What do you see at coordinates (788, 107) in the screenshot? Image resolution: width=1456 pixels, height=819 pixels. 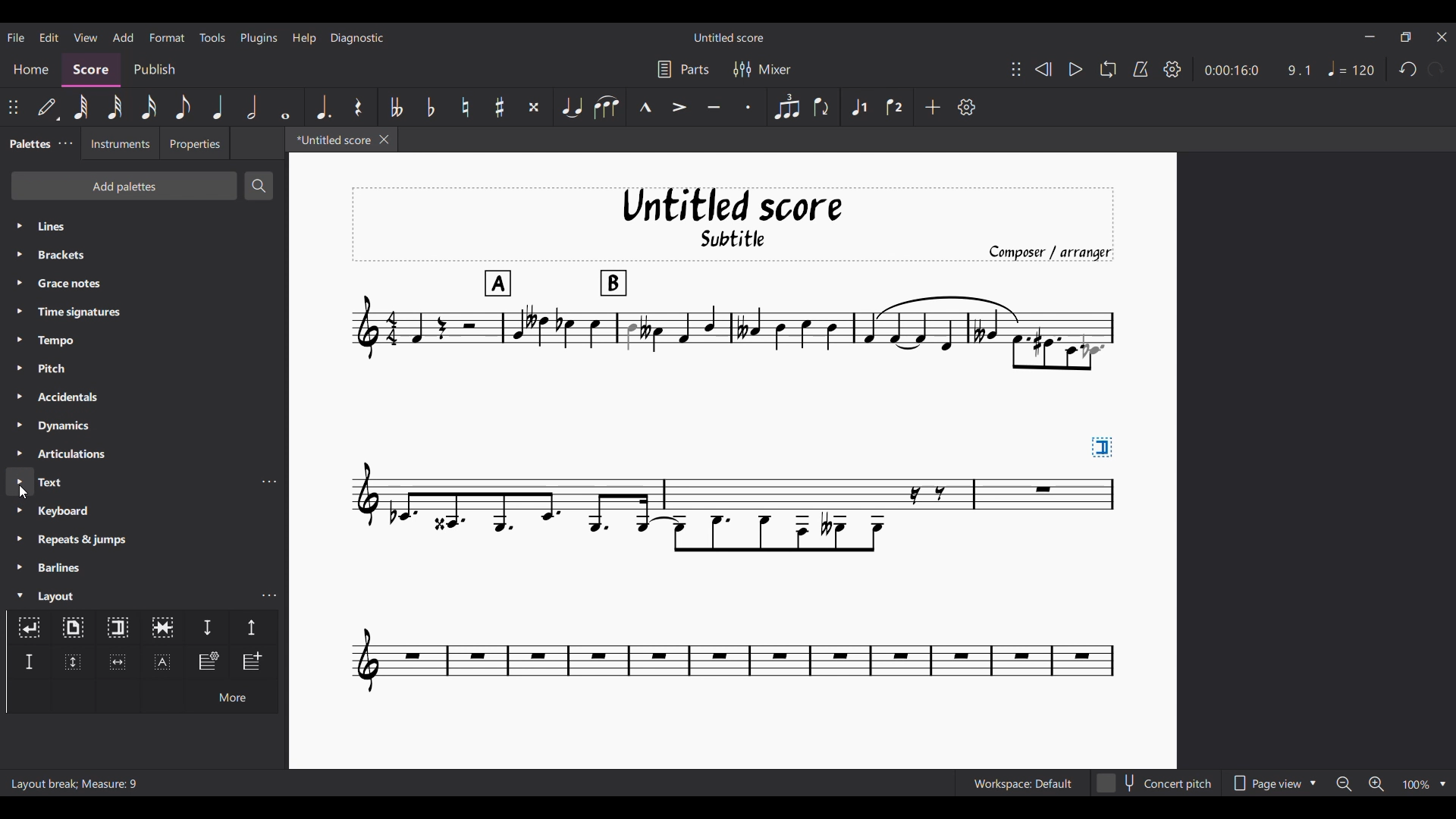 I see `Tuplet` at bounding box center [788, 107].